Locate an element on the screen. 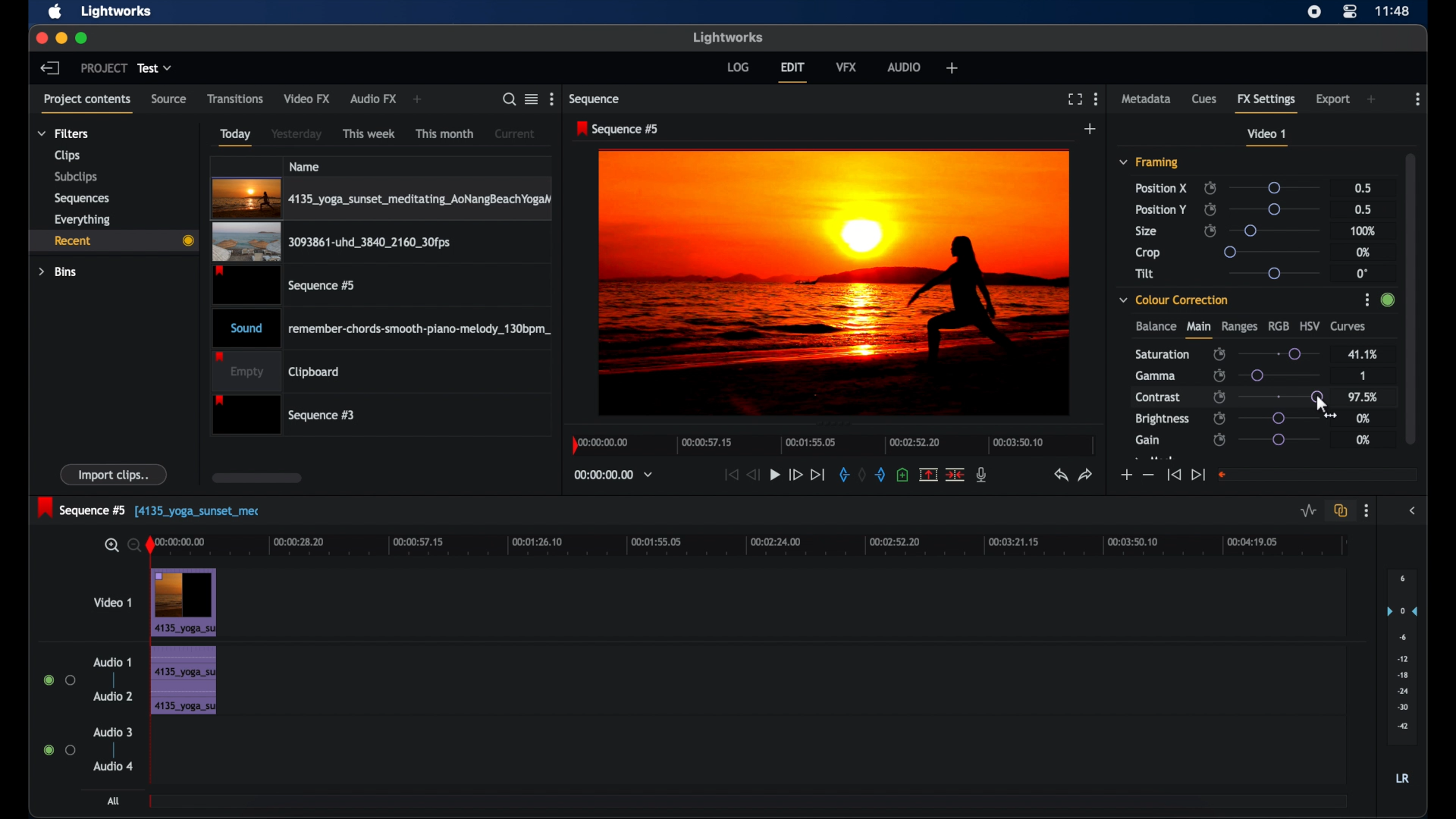 The image size is (1456, 819). test is located at coordinates (156, 68).